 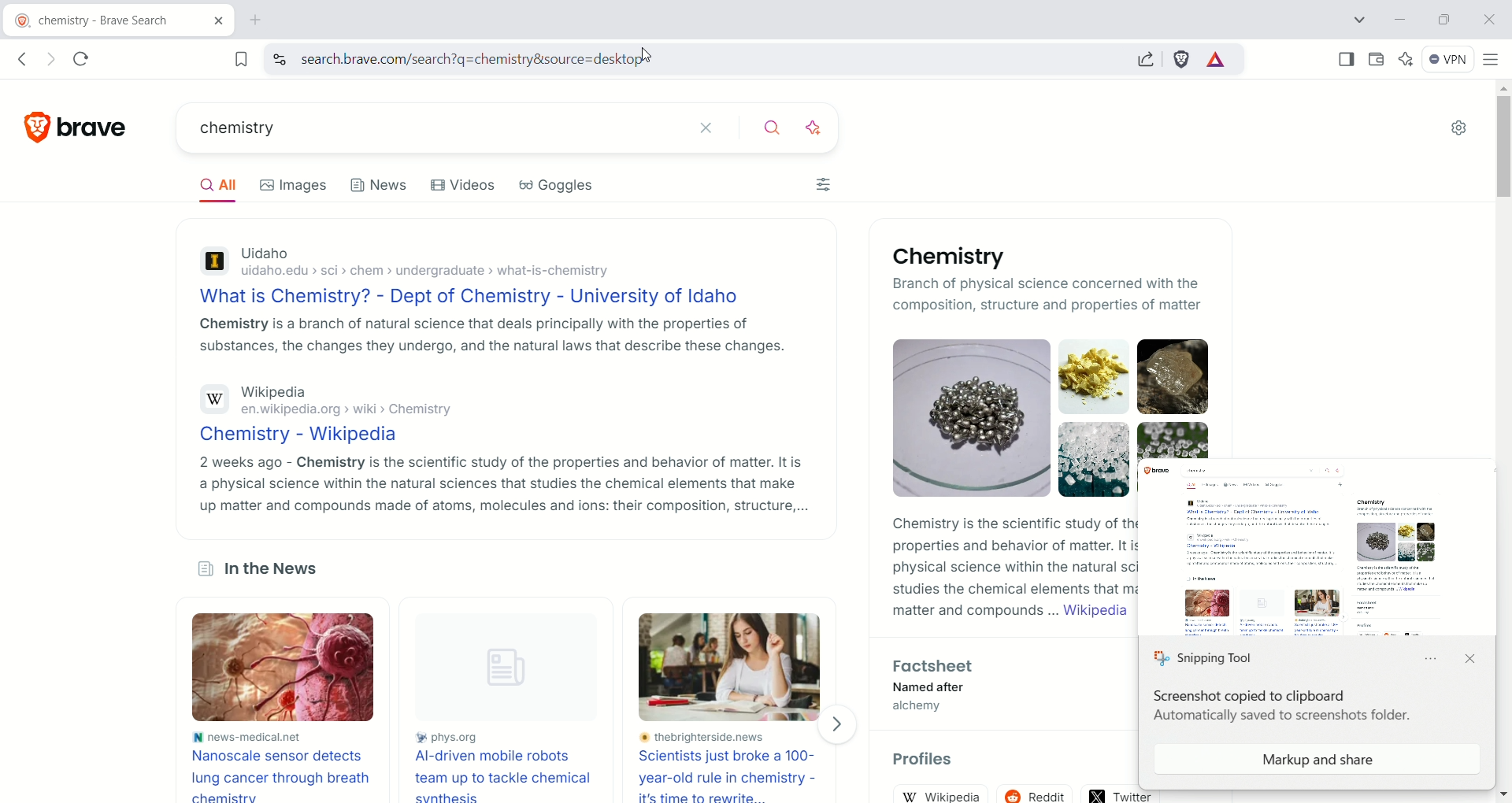 What do you see at coordinates (707, 126) in the screenshot?
I see `clear` at bounding box center [707, 126].